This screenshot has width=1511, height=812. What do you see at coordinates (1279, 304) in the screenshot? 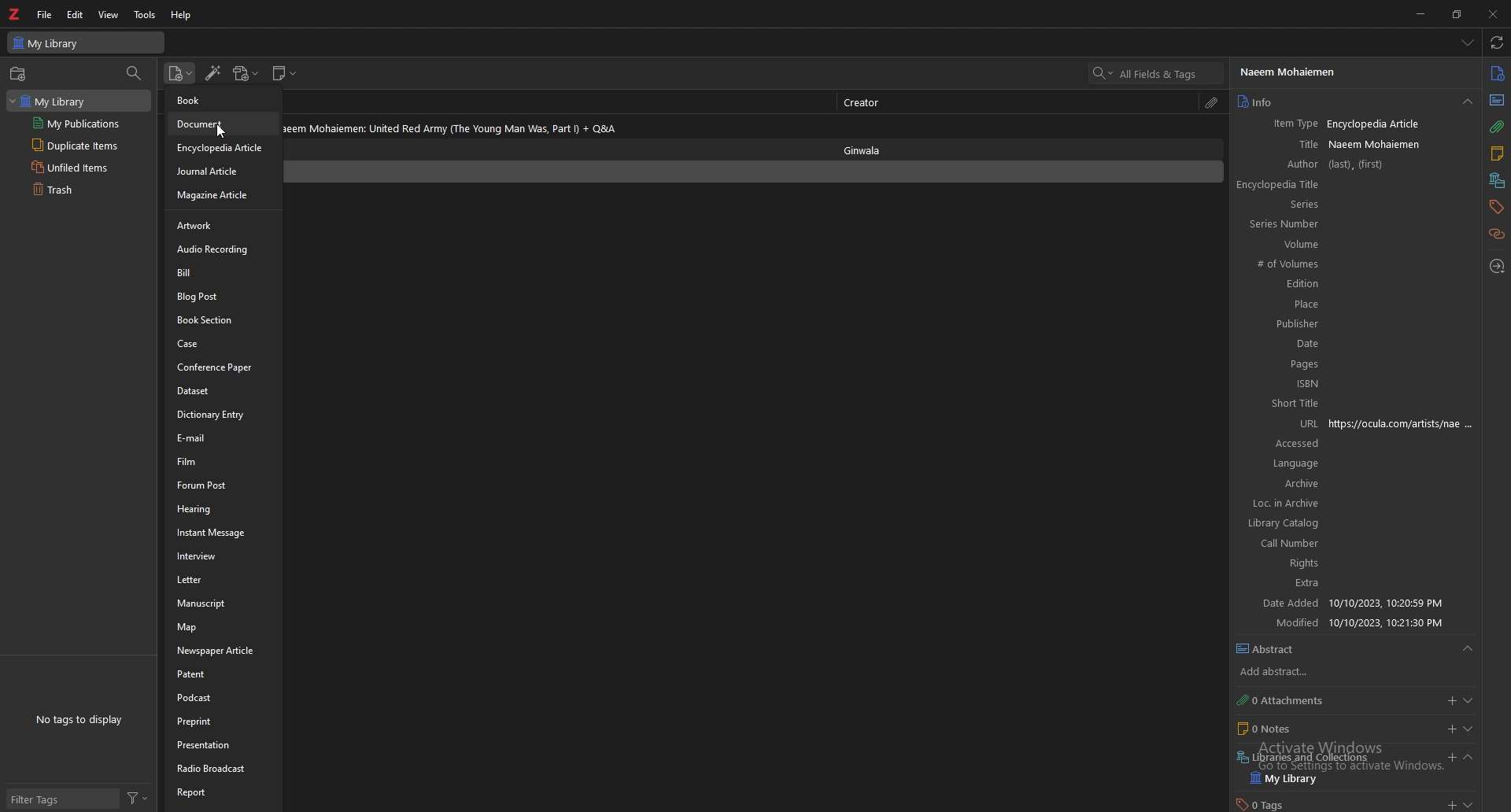
I see `place` at bounding box center [1279, 304].